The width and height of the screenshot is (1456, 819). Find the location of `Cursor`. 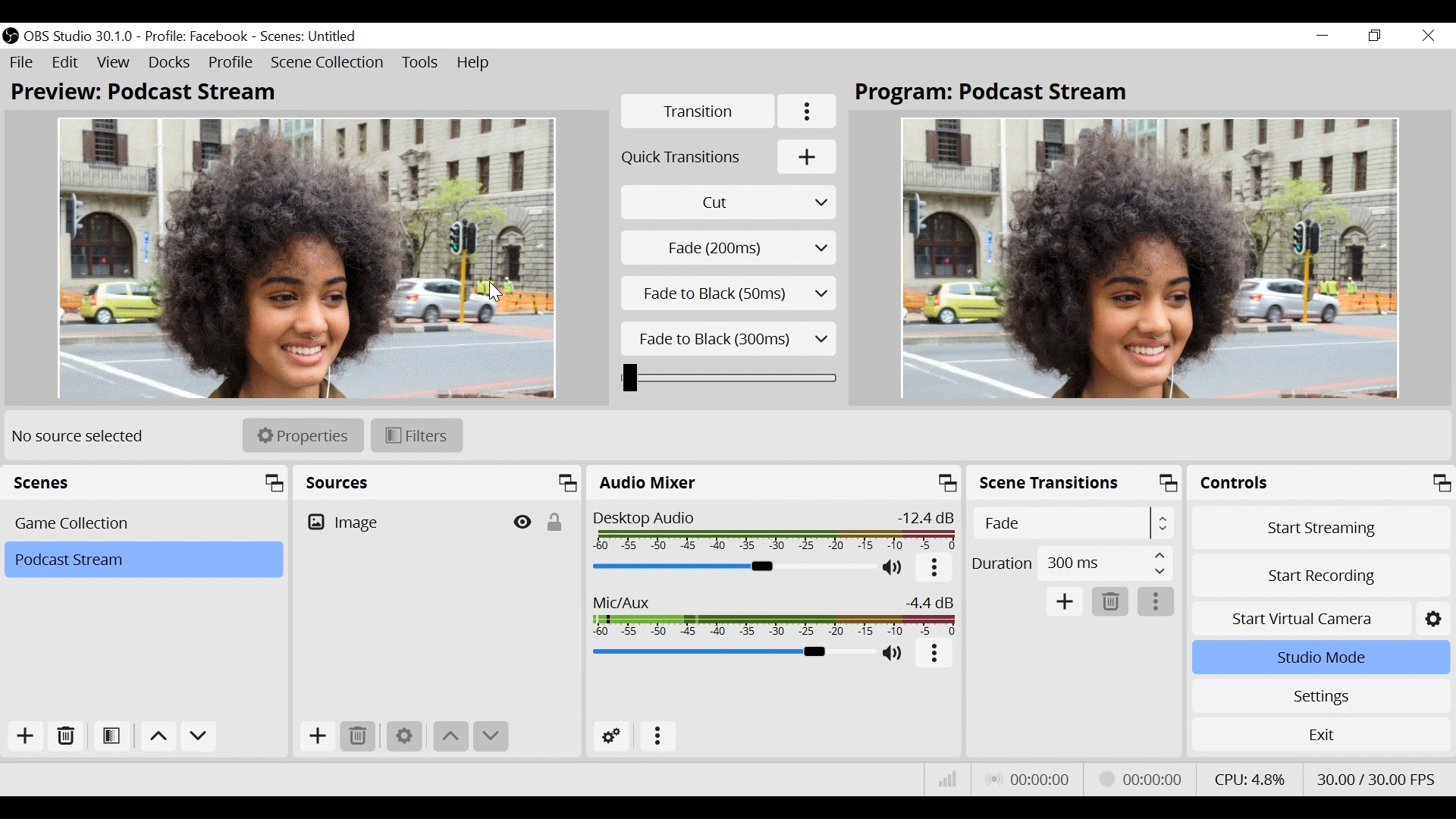

Cursor is located at coordinates (497, 290).